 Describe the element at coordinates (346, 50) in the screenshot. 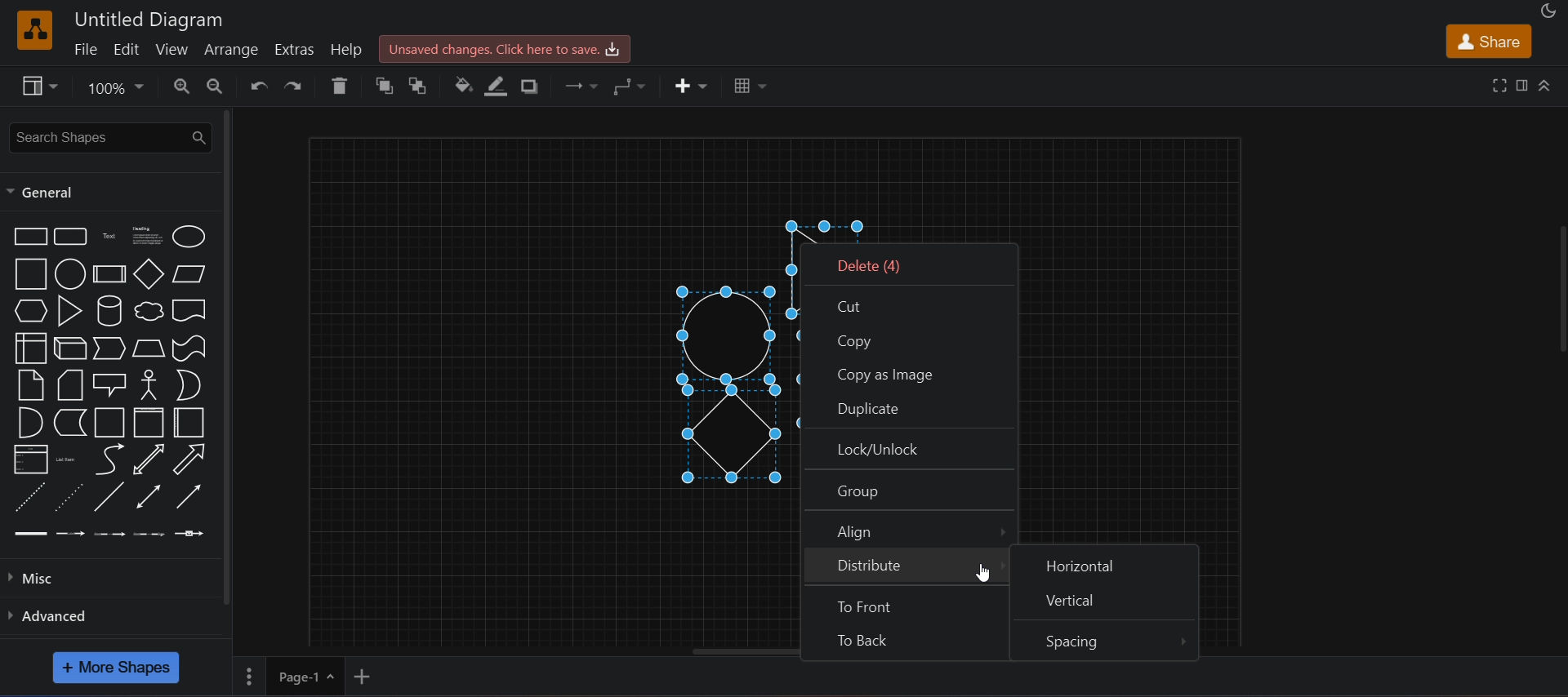

I see `help` at that location.